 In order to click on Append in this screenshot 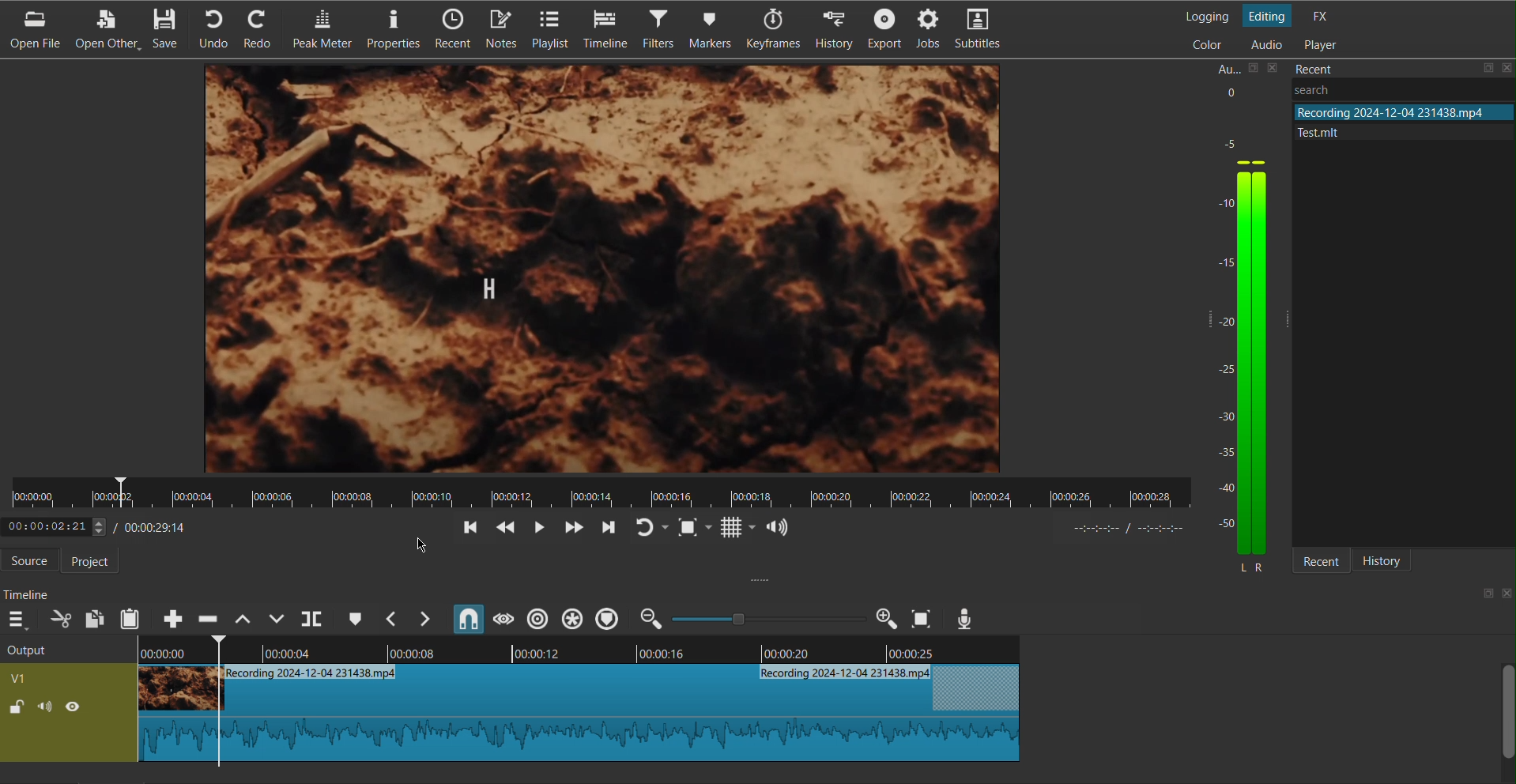, I will do `click(170, 619)`.